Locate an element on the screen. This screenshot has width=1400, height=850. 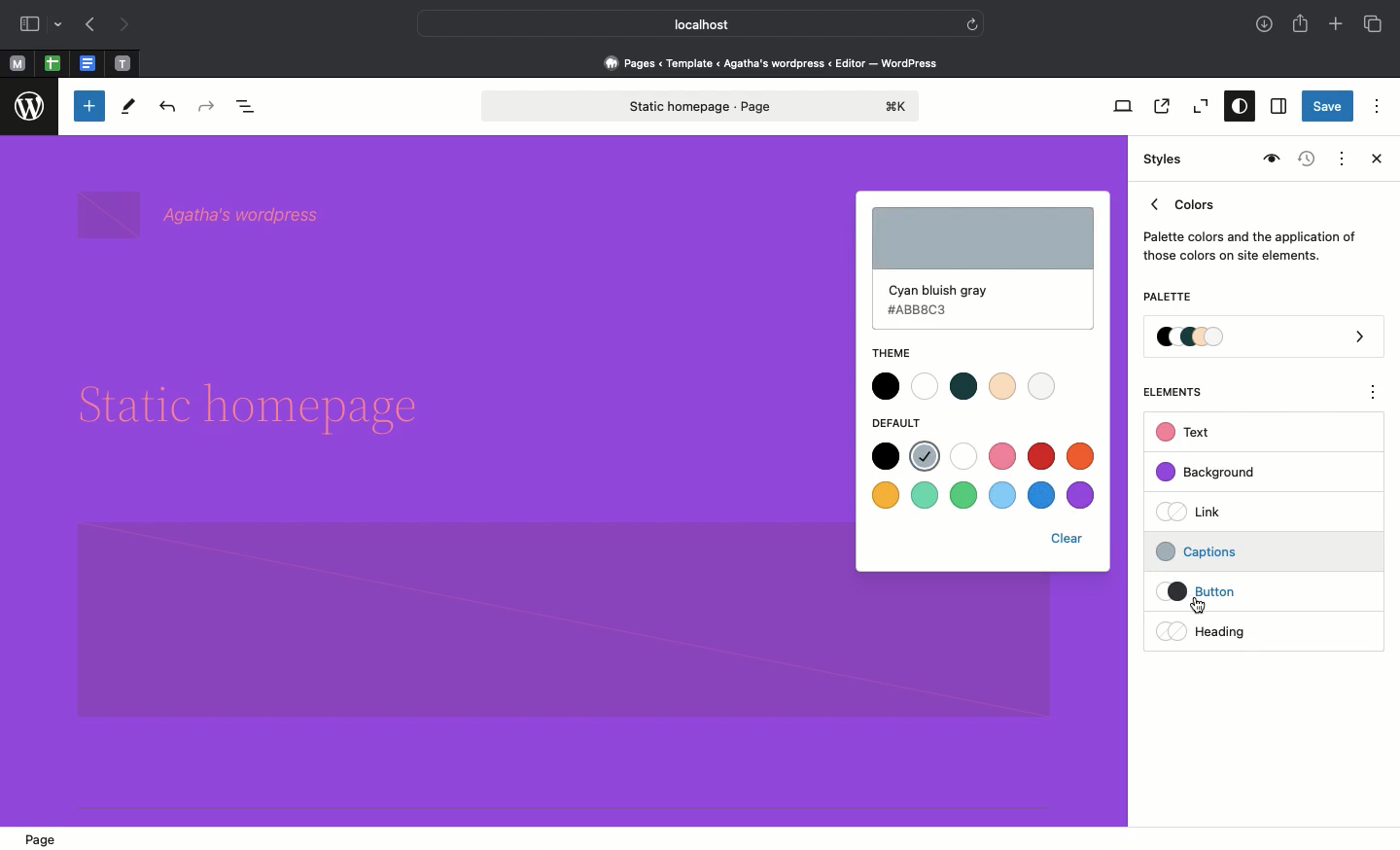
Palette is located at coordinates (1167, 299).